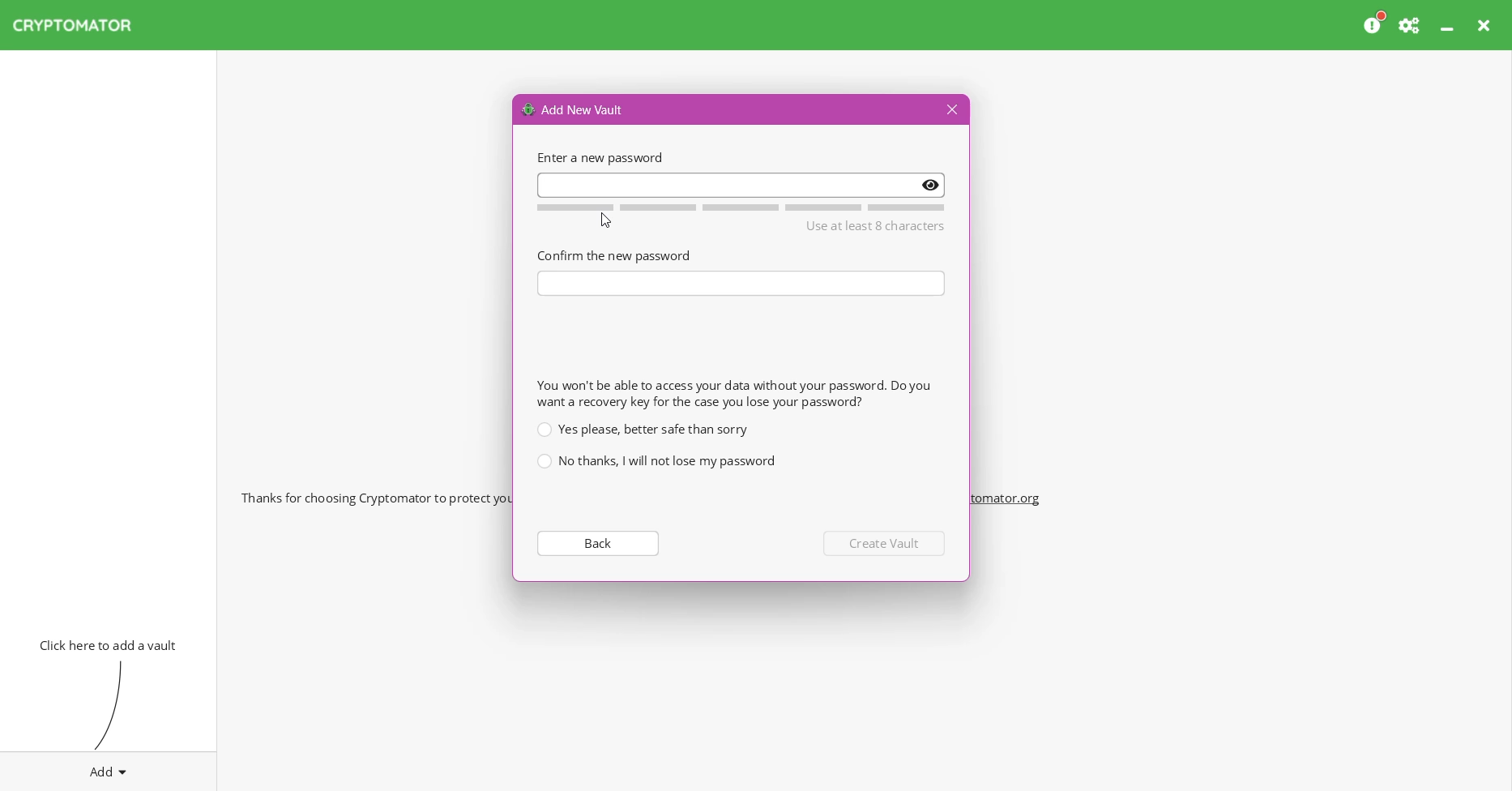 This screenshot has width=1512, height=791. I want to click on Next, so click(886, 543).